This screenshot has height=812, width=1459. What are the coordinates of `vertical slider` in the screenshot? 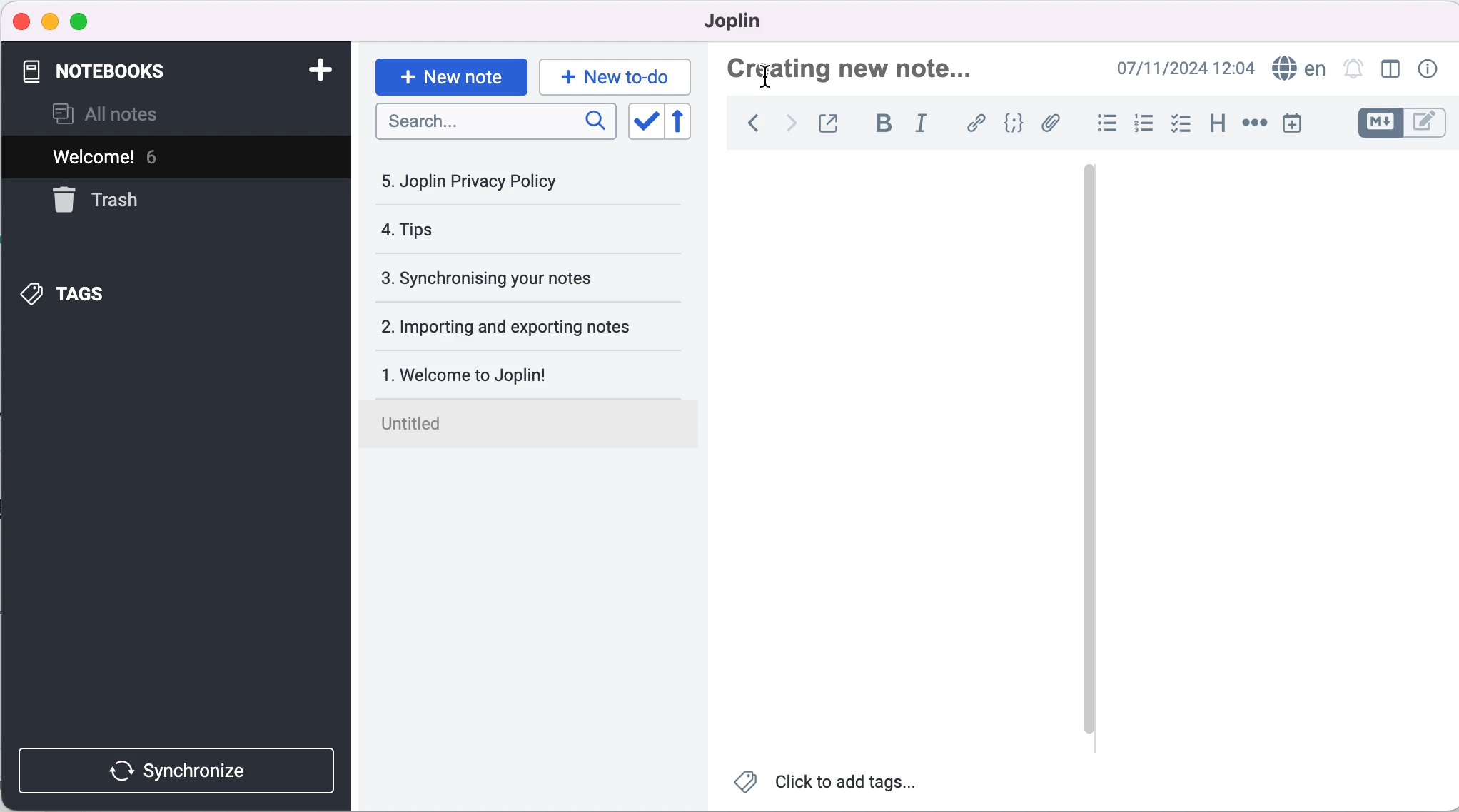 It's located at (1089, 450).